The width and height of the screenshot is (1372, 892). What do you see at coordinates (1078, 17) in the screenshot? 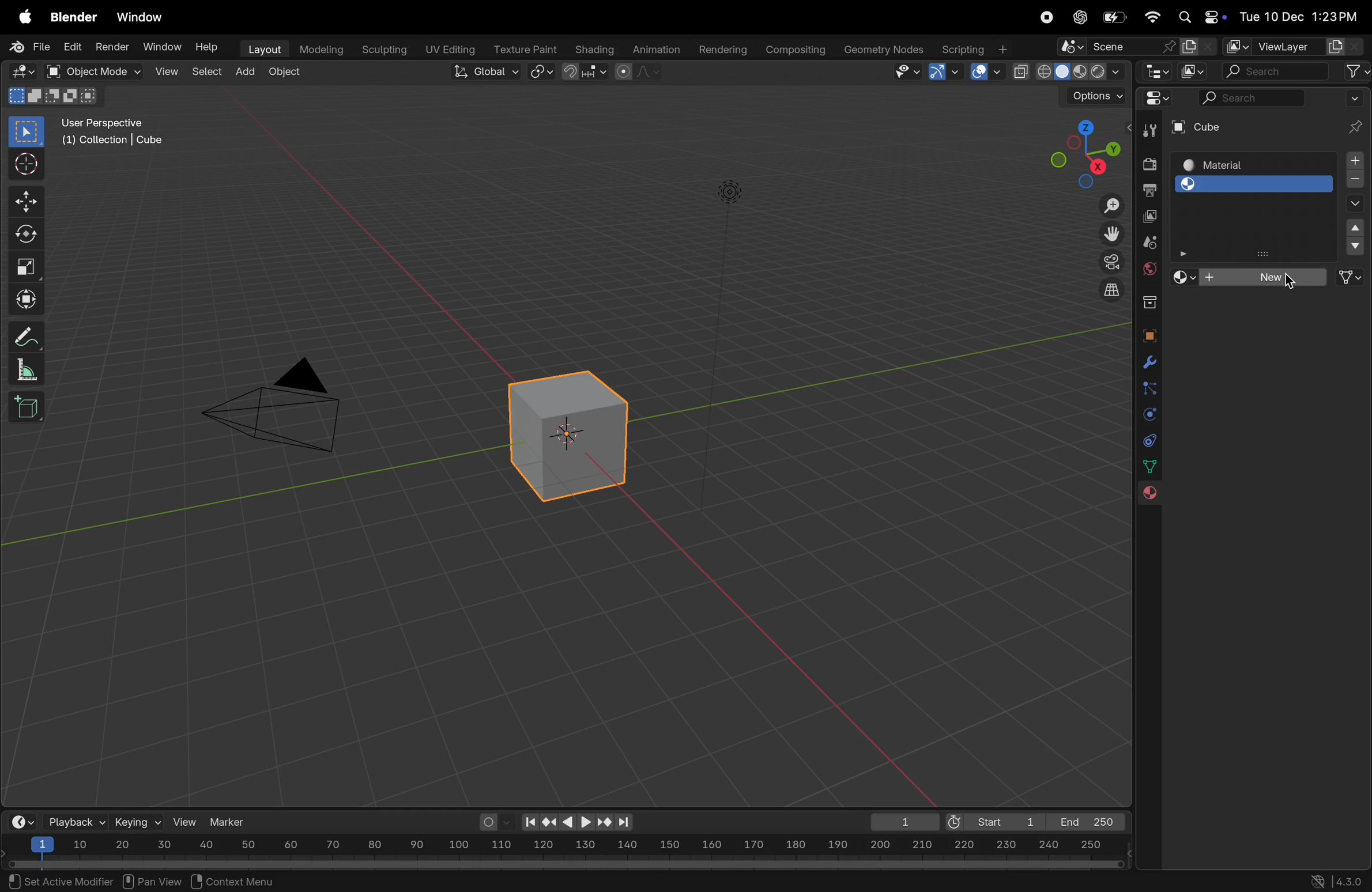
I see `chatgpt` at bounding box center [1078, 17].